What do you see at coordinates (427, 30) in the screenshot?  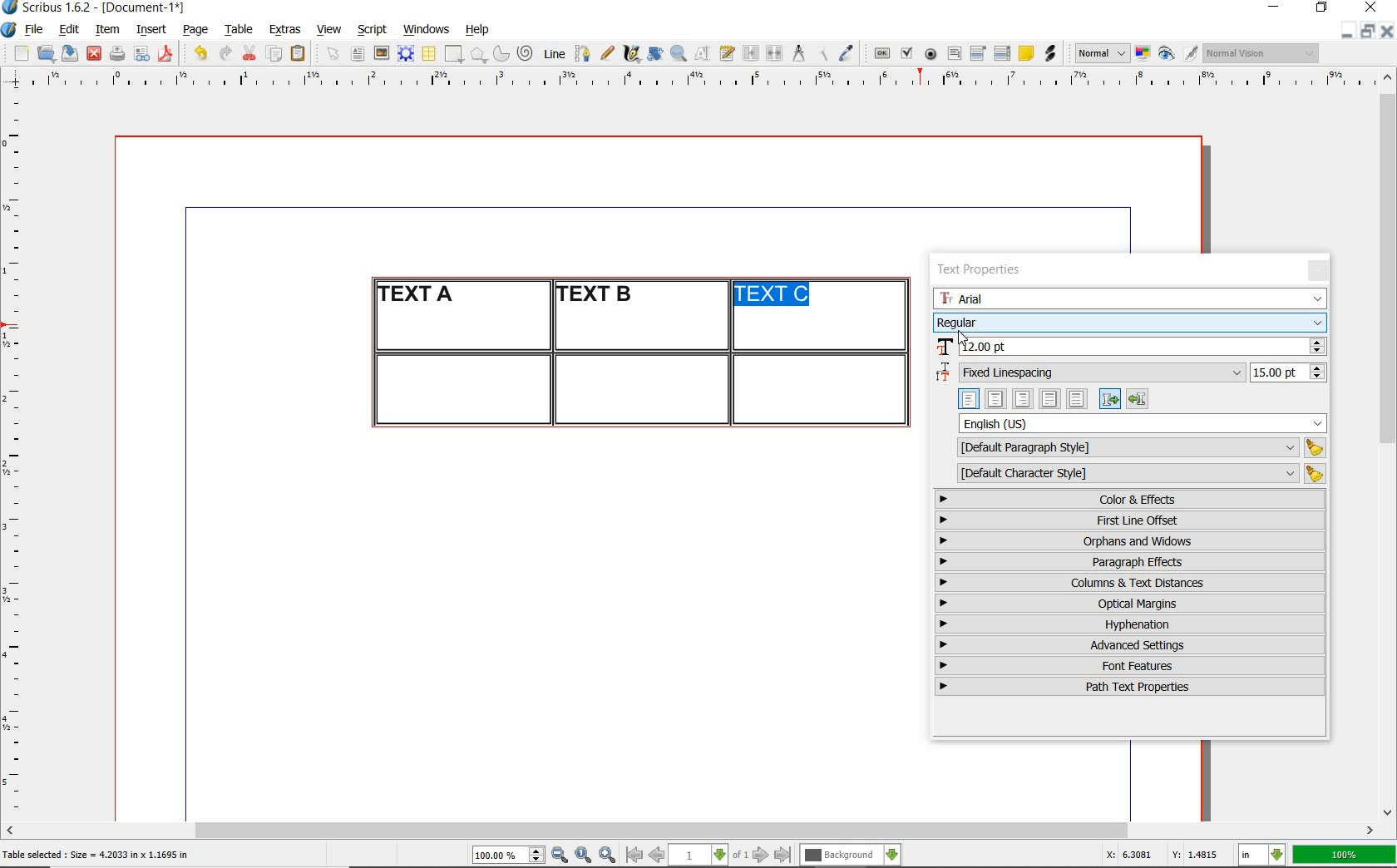 I see `windows` at bounding box center [427, 30].